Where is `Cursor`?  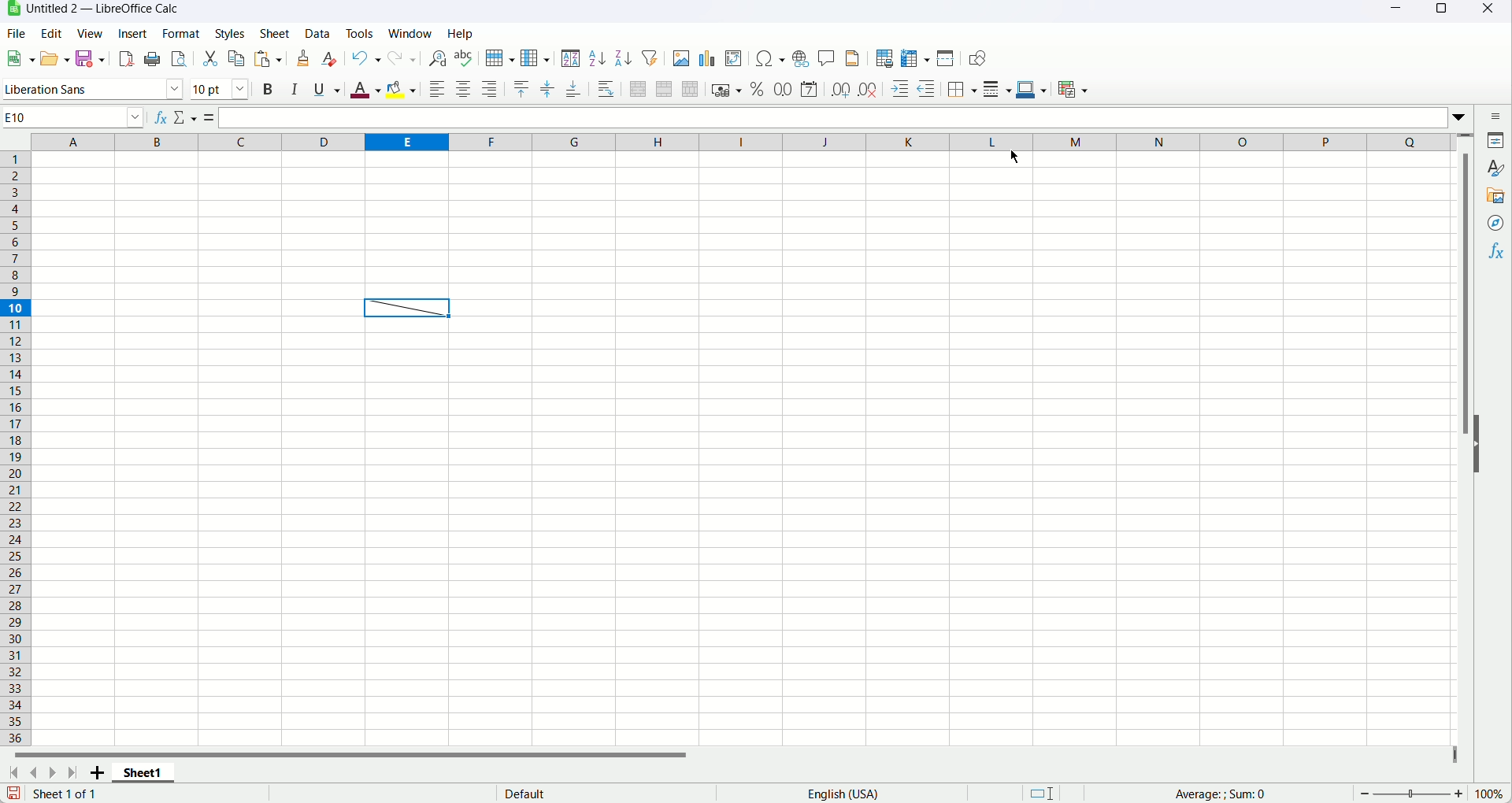 Cursor is located at coordinates (1014, 156).